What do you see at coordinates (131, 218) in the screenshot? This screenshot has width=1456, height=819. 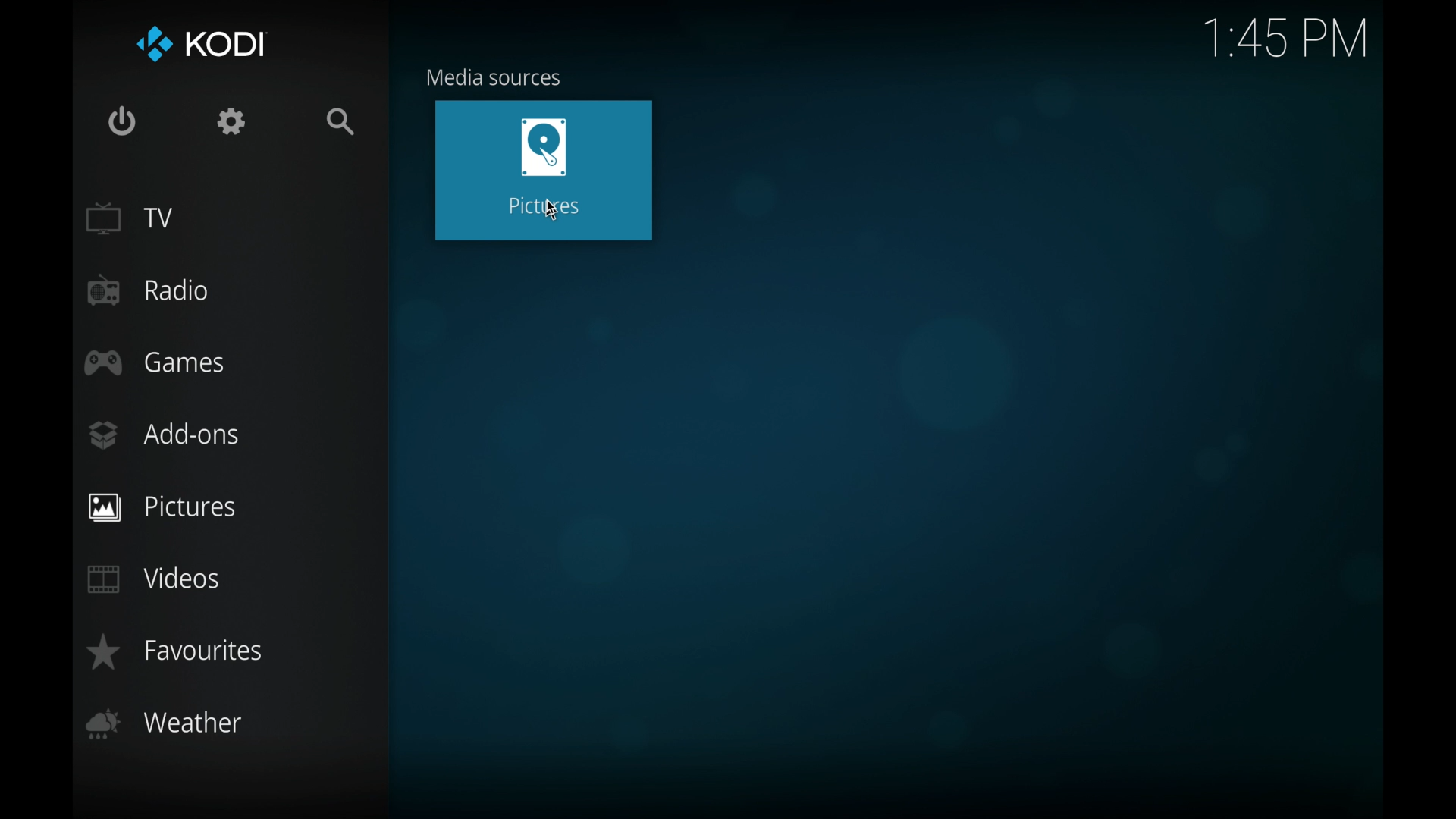 I see `TV` at bounding box center [131, 218].